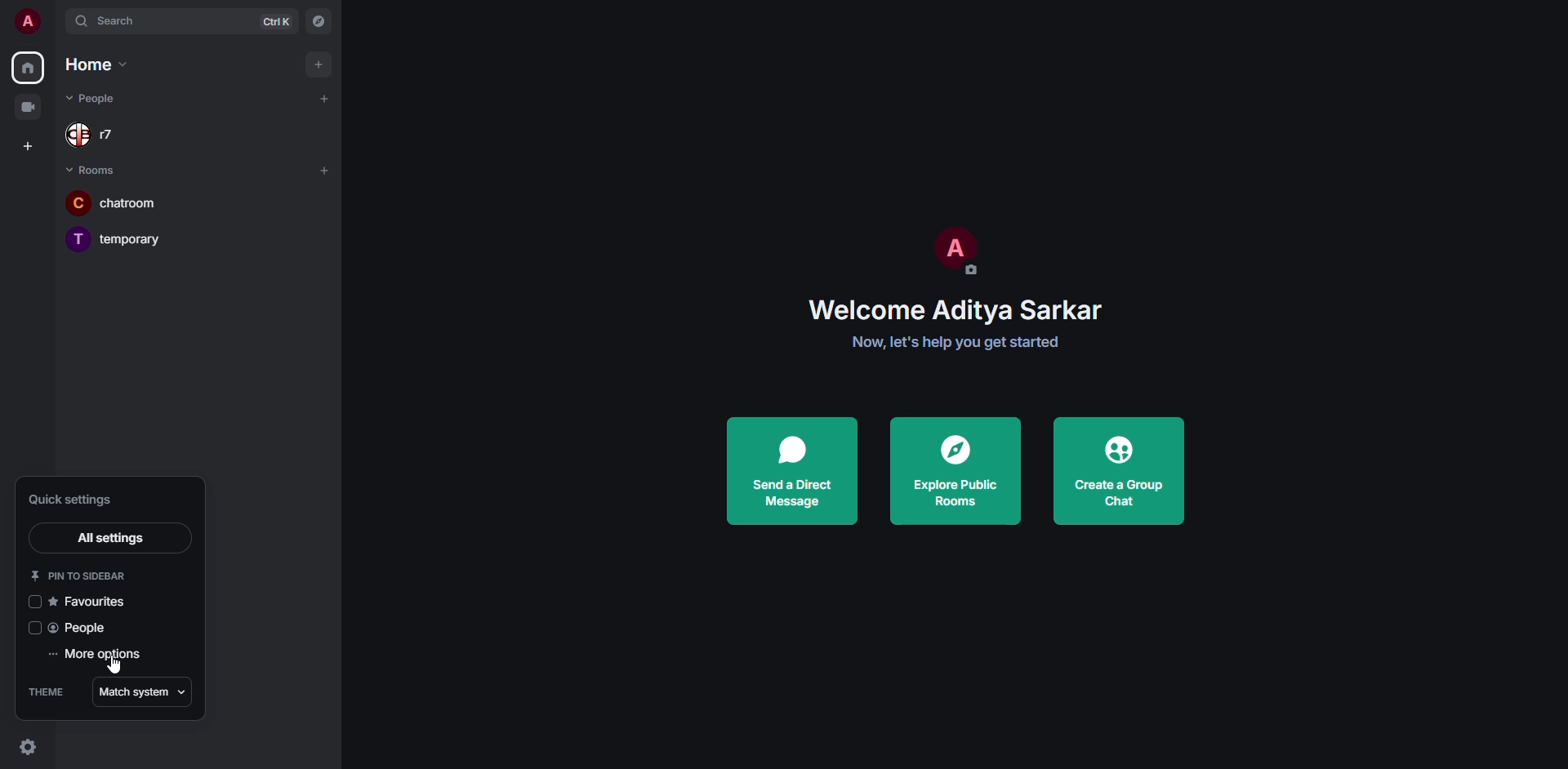 This screenshot has width=1568, height=769. What do you see at coordinates (320, 63) in the screenshot?
I see `add` at bounding box center [320, 63].